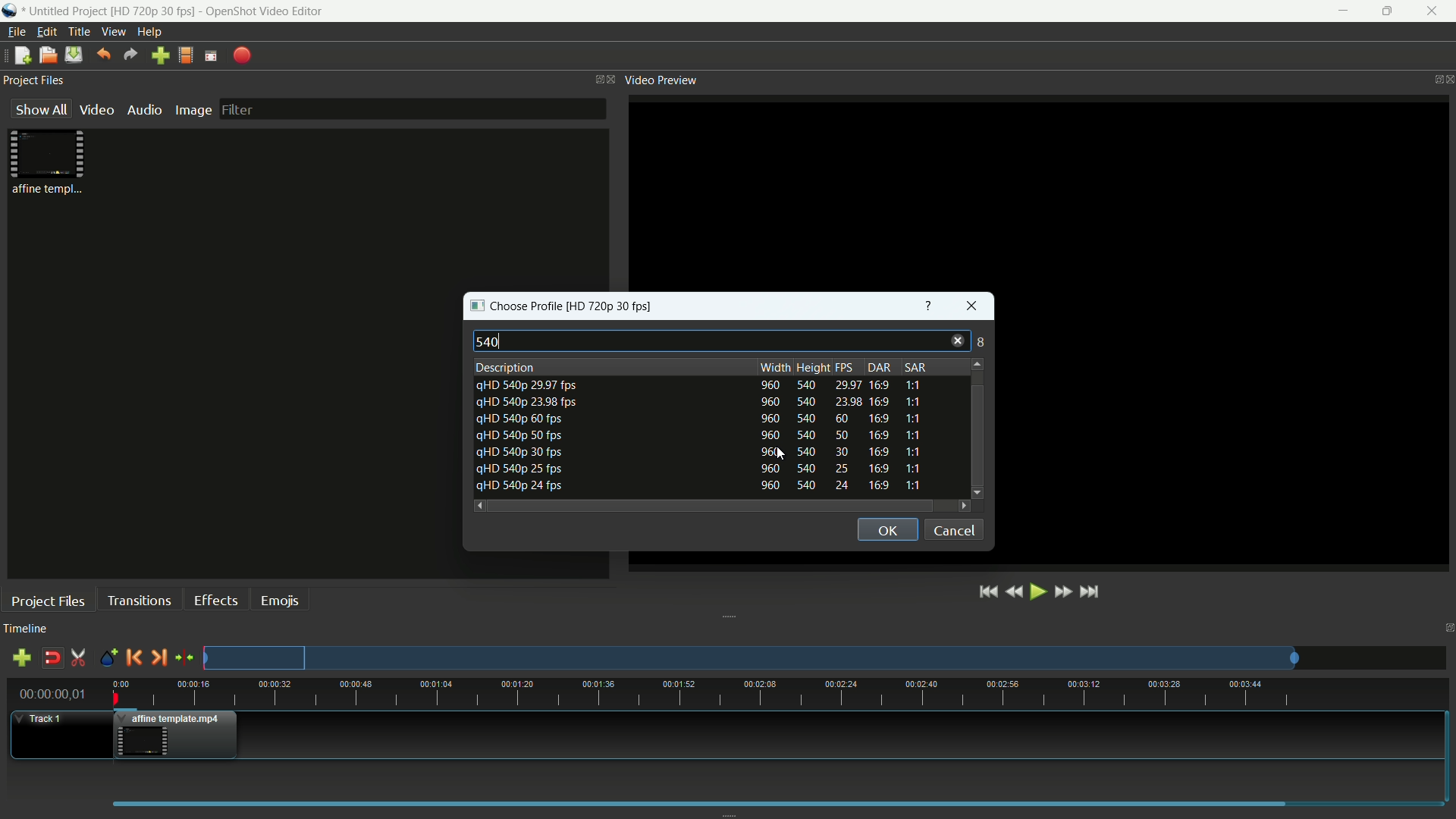  What do you see at coordinates (712, 506) in the screenshot?
I see `scroll bar` at bounding box center [712, 506].